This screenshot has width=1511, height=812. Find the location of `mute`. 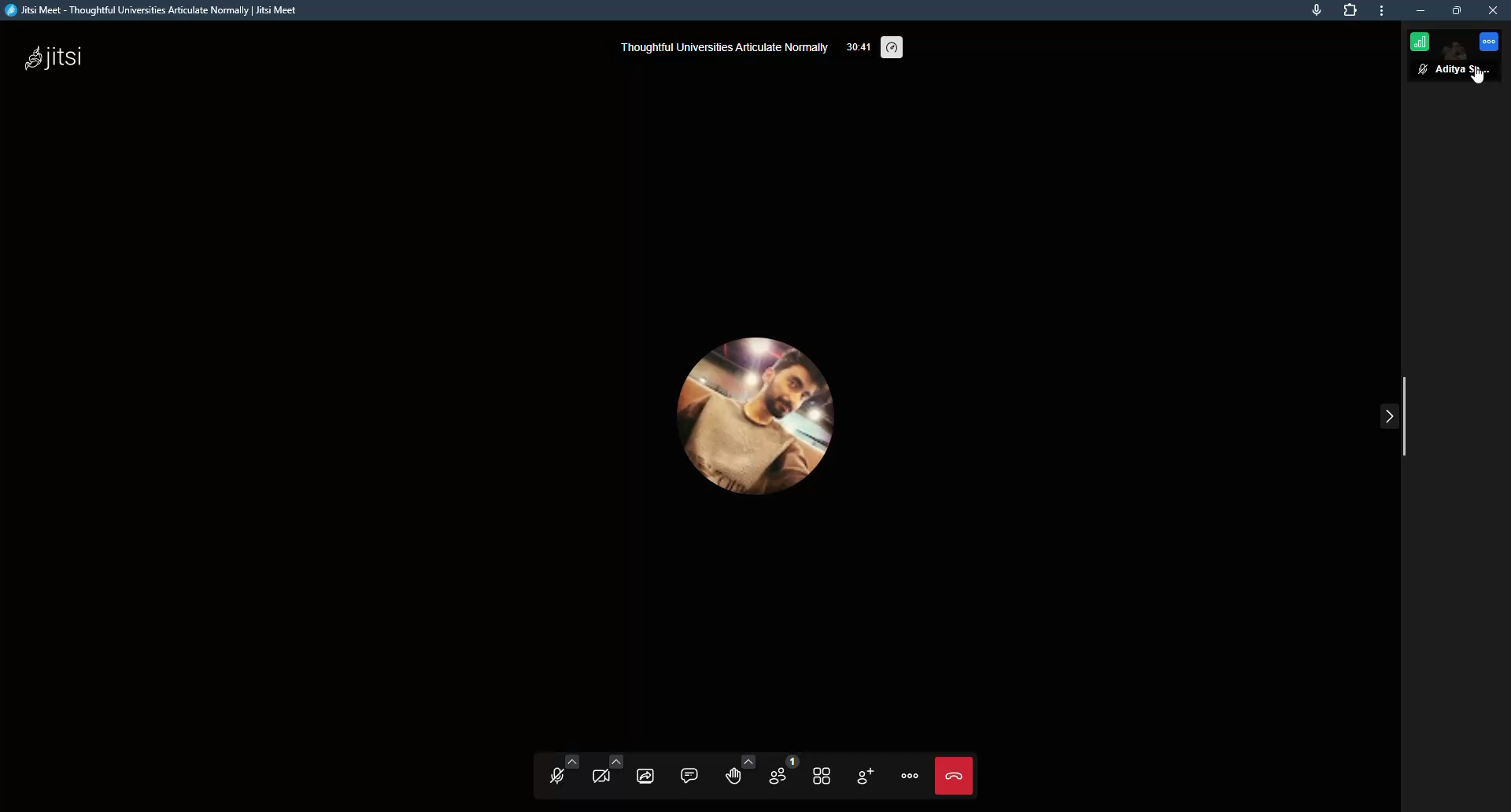

mute is located at coordinates (1419, 69).